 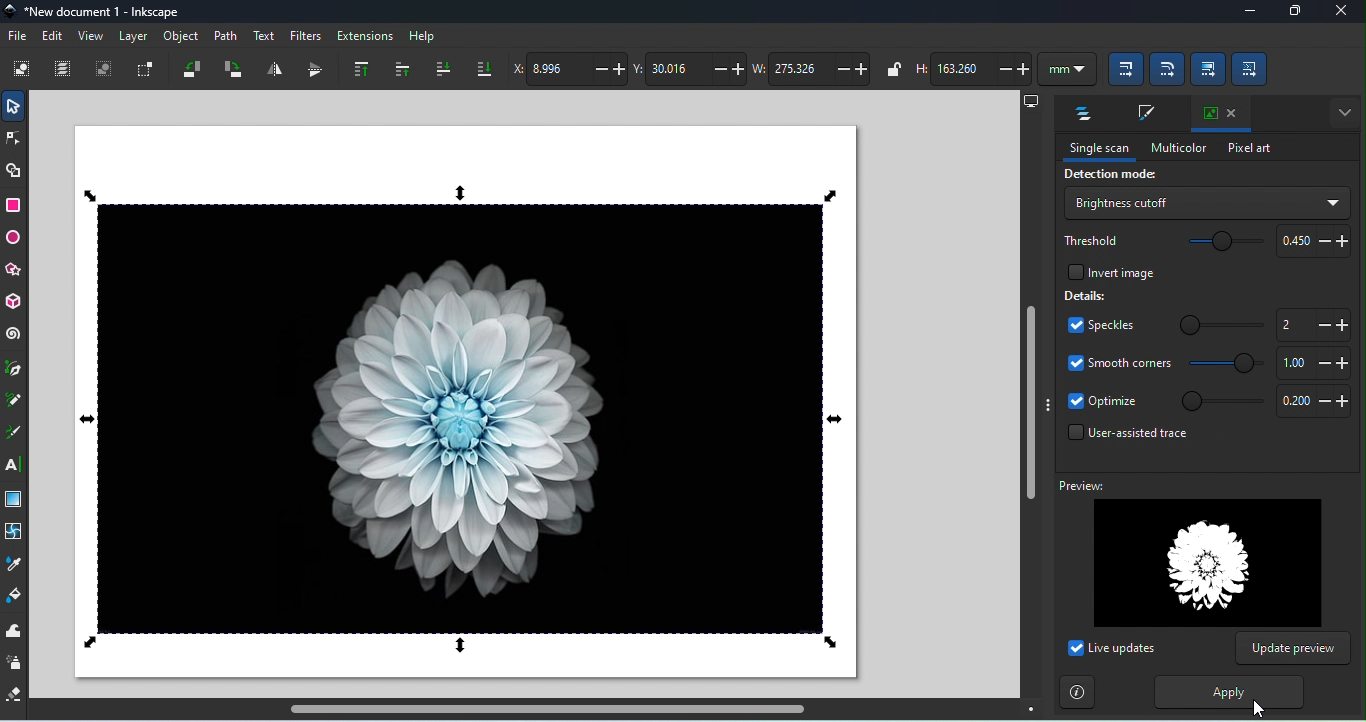 I want to click on star/polygon tool, so click(x=13, y=272).